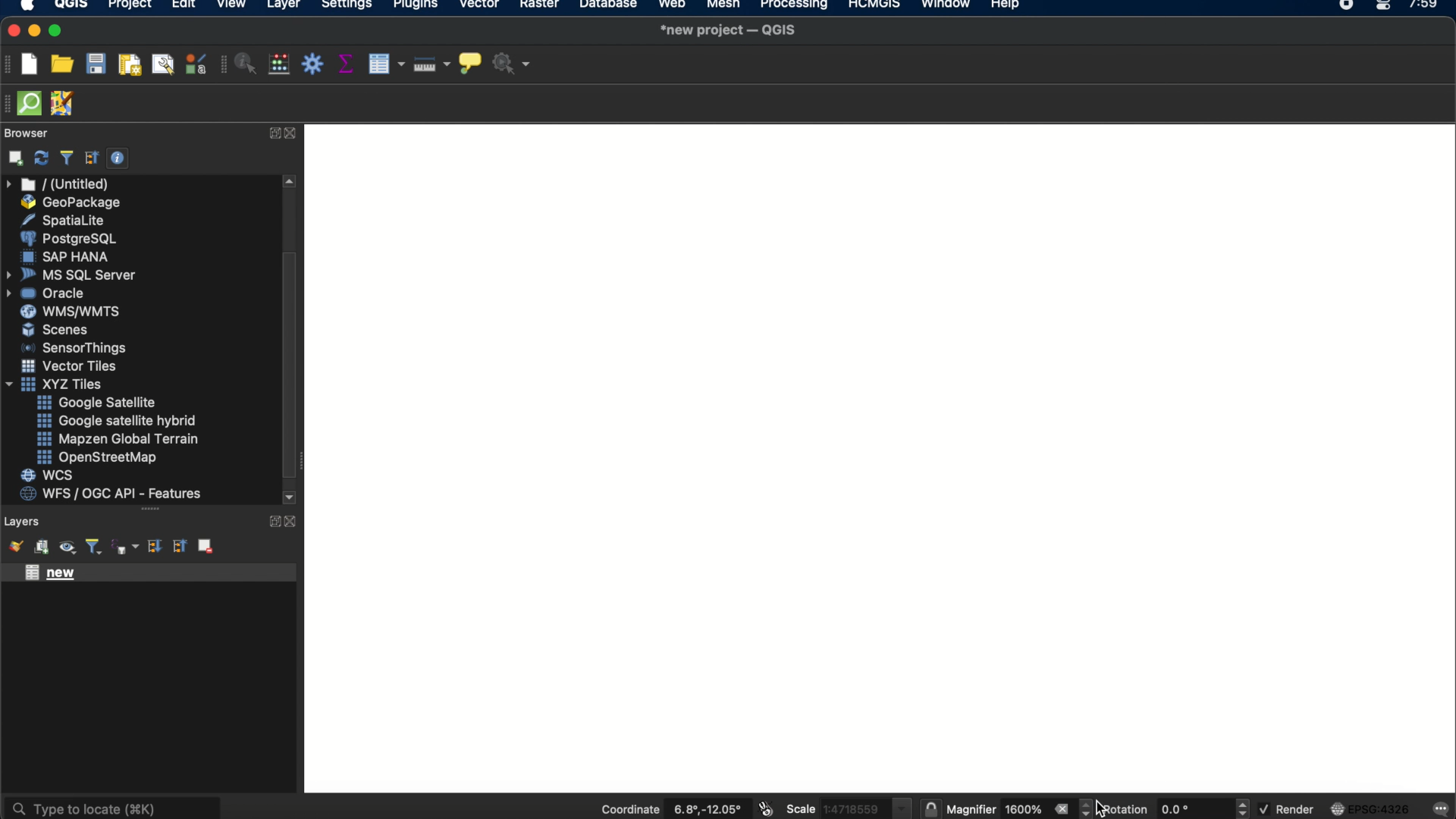  Describe the element at coordinates (1286, 808) in the screenshot. I see `render` at that location.